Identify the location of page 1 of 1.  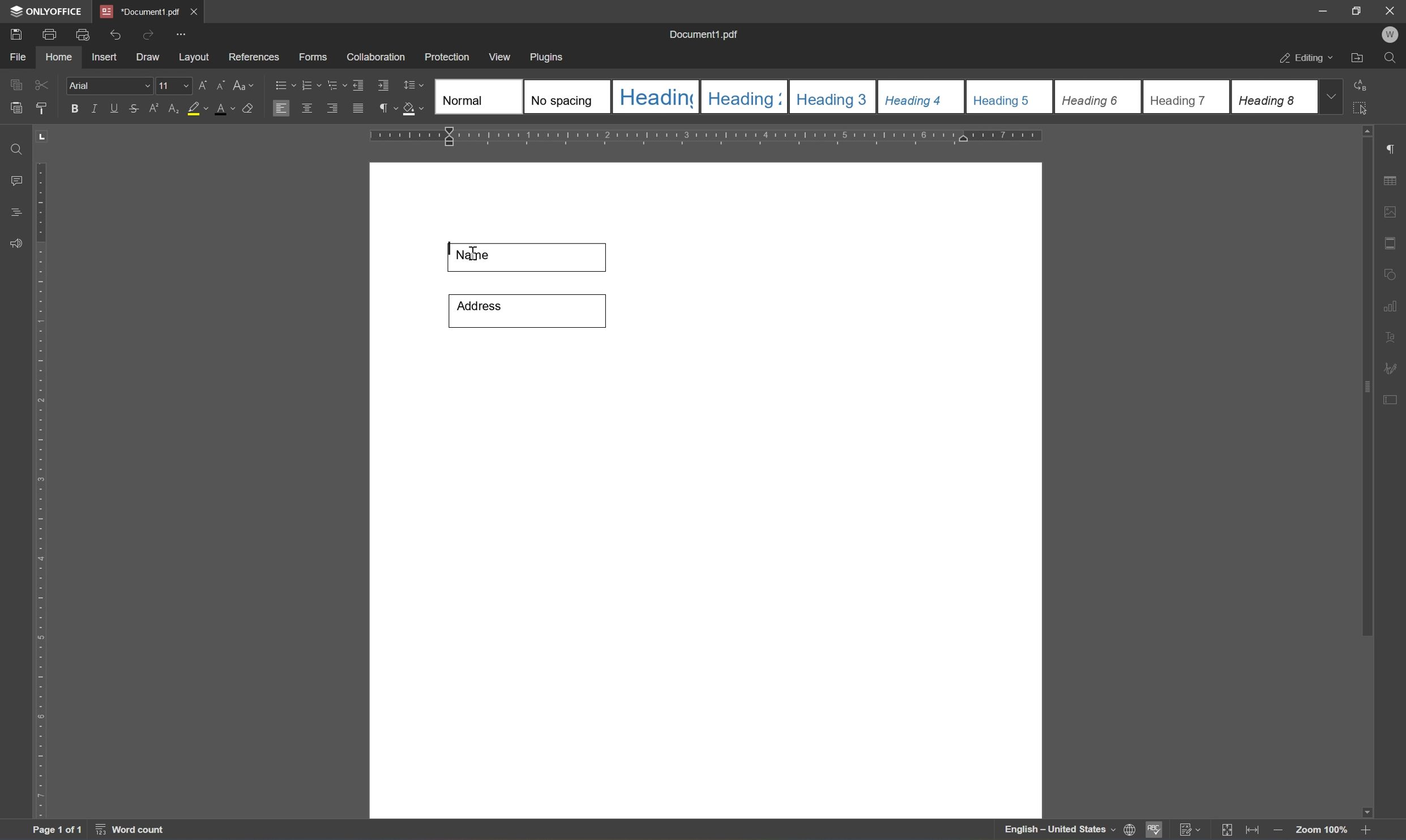
(59, 830).